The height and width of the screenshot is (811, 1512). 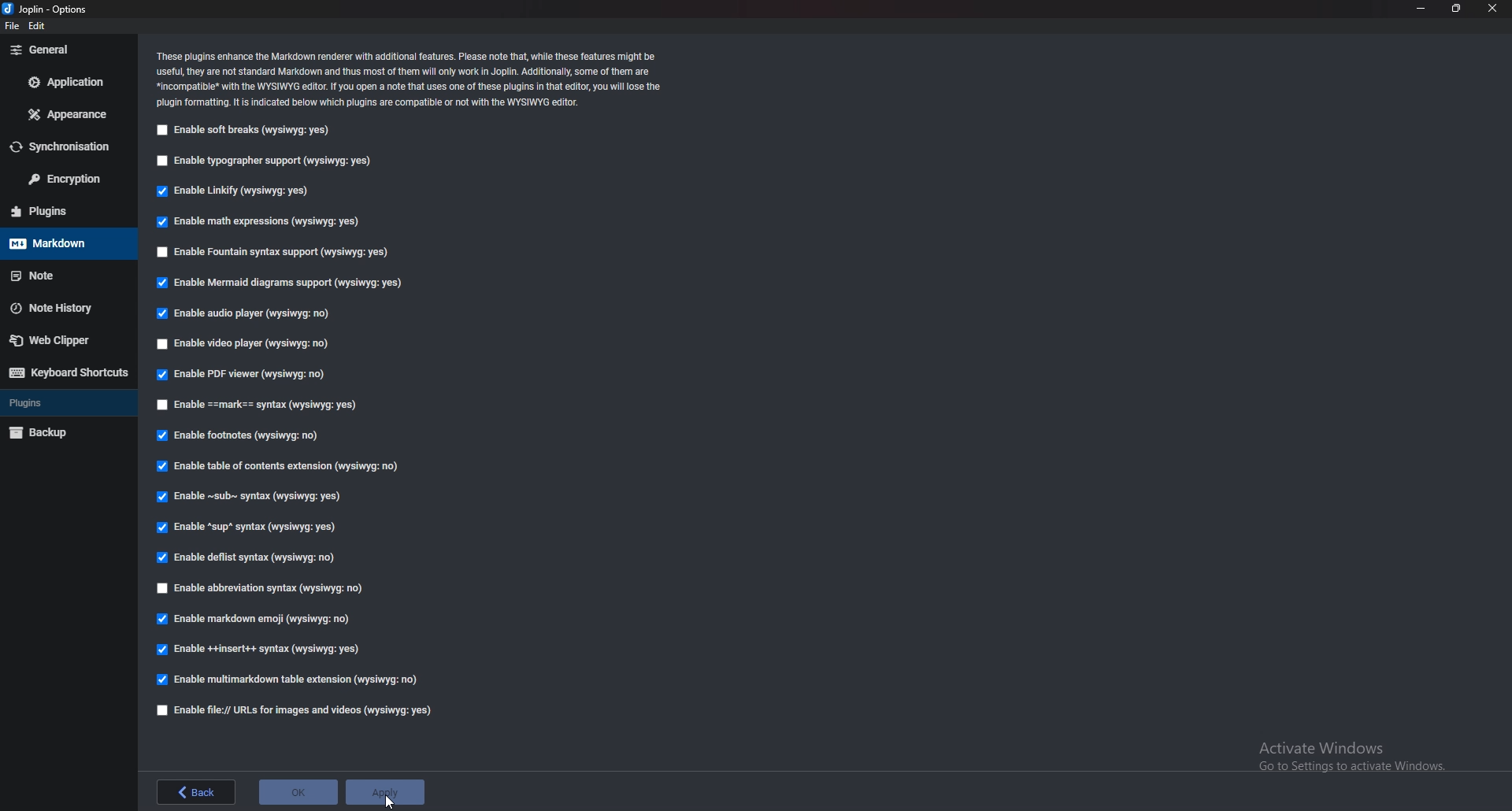 What do you see at coordinates (49, 9) in the screenshot?
I see `joplin` at bounding box center [49, 9].